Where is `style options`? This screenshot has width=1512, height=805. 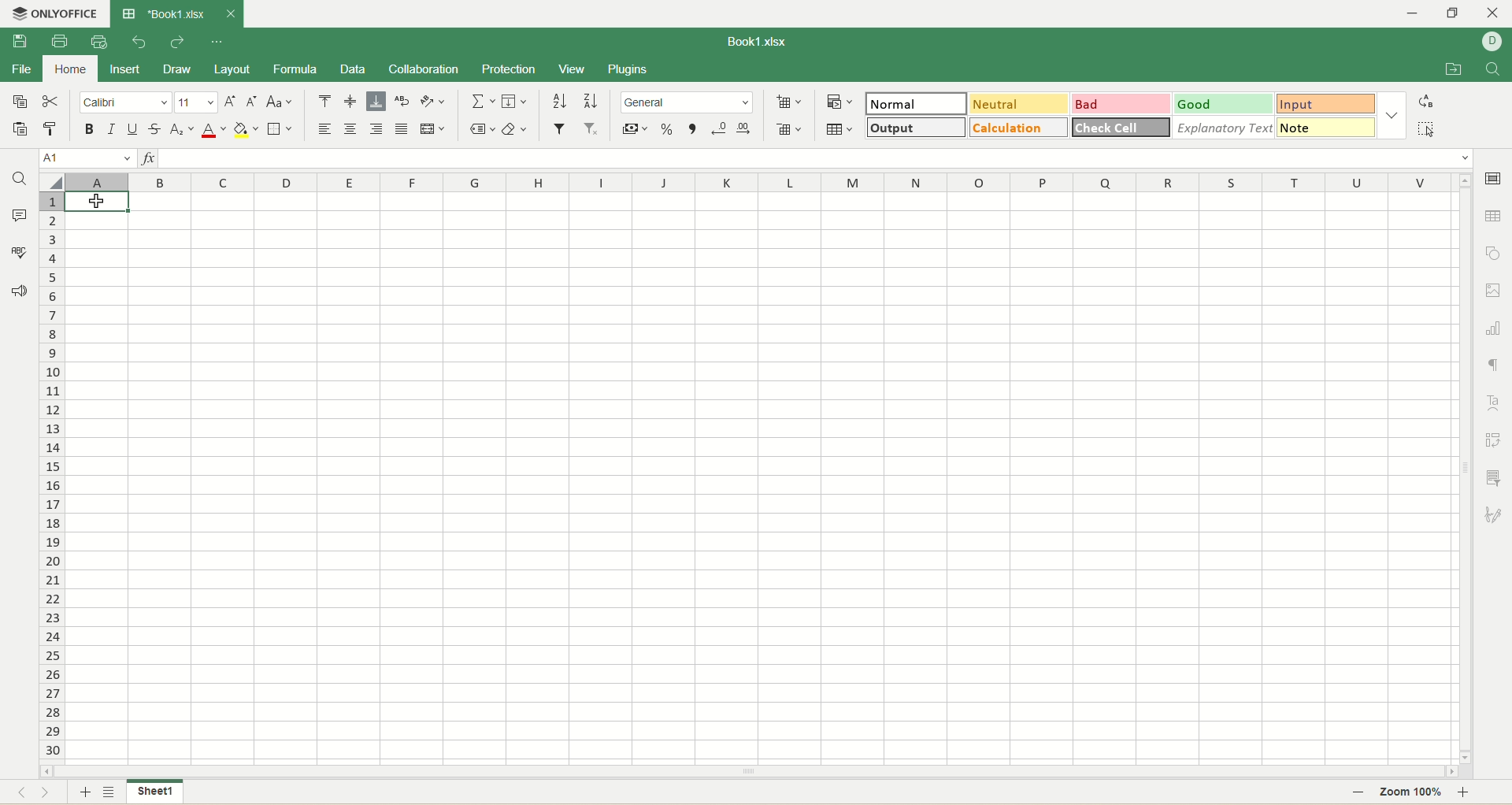
style options is located at coordinates (1390, 114).